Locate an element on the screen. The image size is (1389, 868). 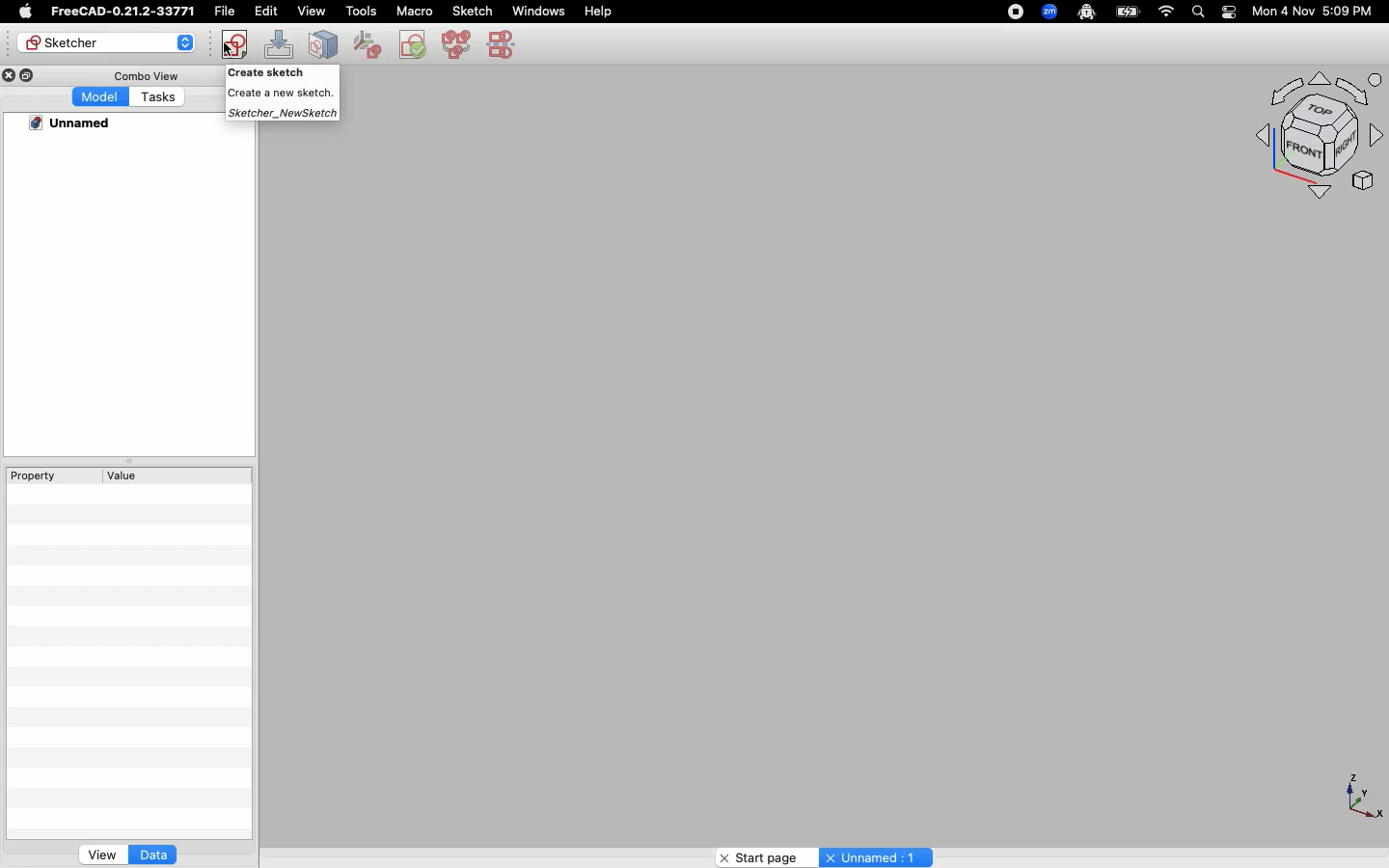
Sketch is located at coordinates (473, 10).